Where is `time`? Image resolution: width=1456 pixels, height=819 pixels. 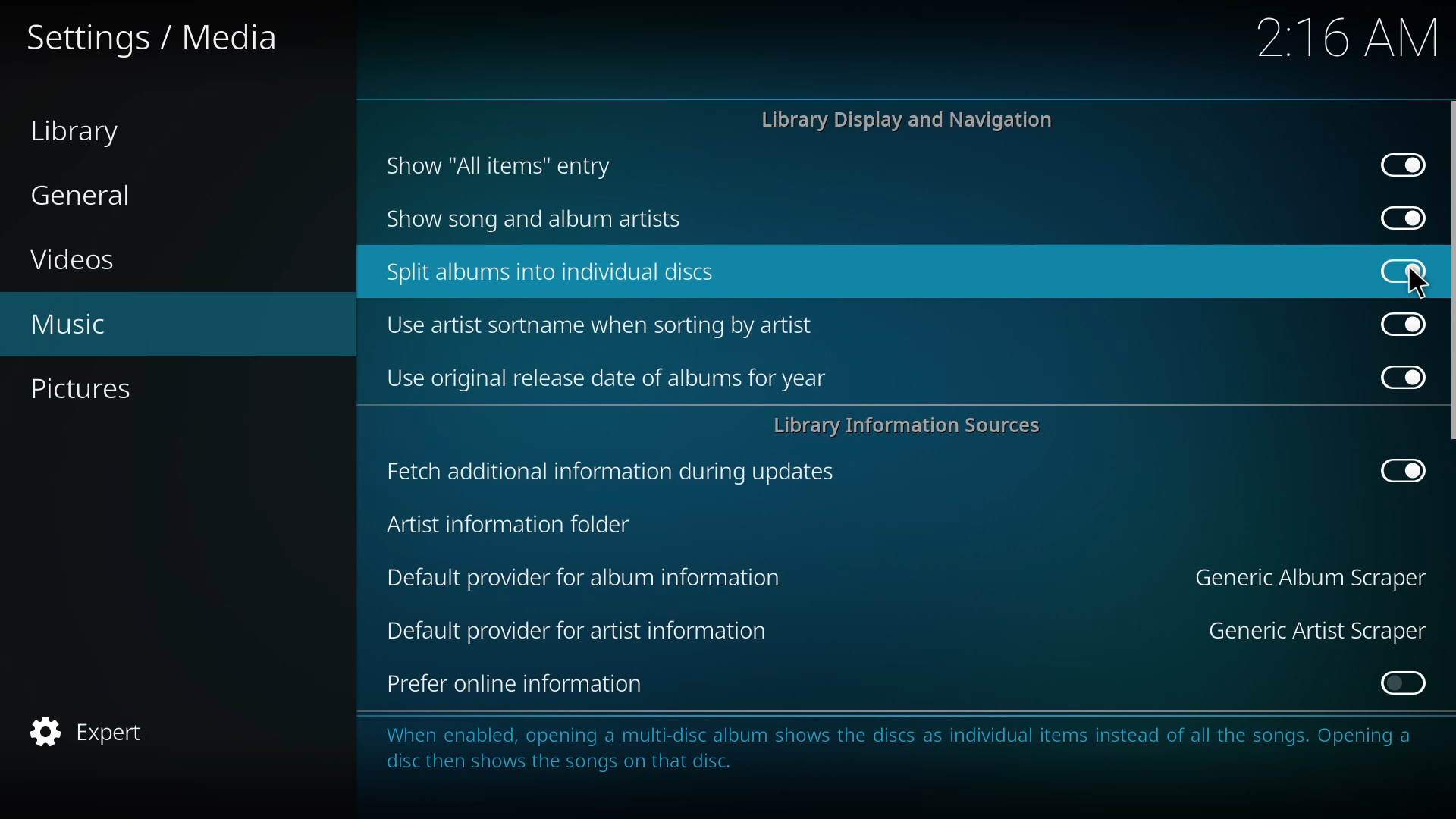
time is located at coordinates (1352, 36).